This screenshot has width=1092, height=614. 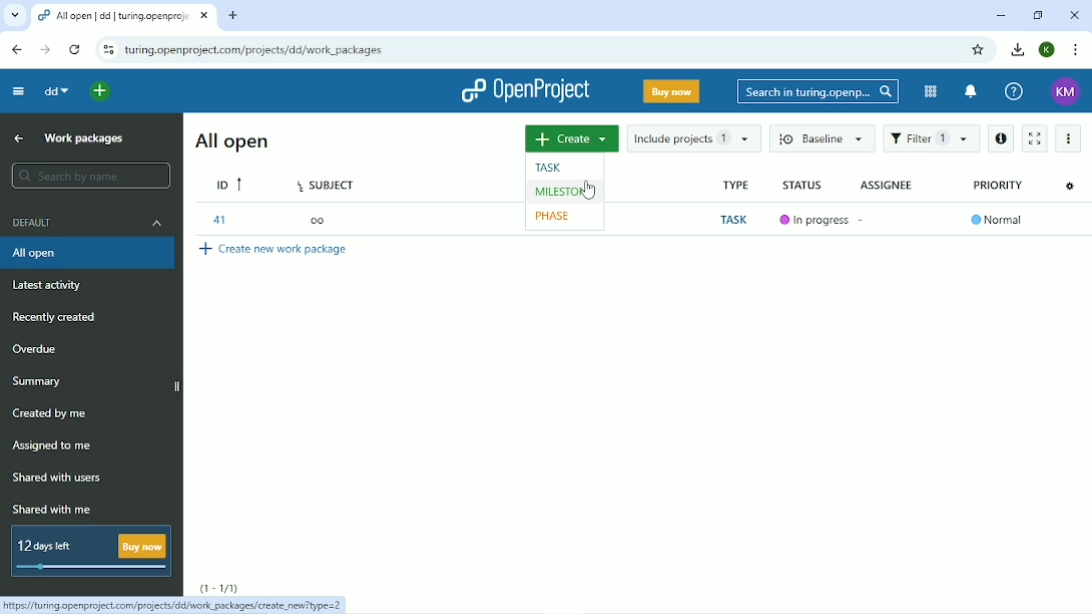 What do you see at coordinates (88, 222) in the screenshot?
I see `Default` at bounding box center [88, 222].